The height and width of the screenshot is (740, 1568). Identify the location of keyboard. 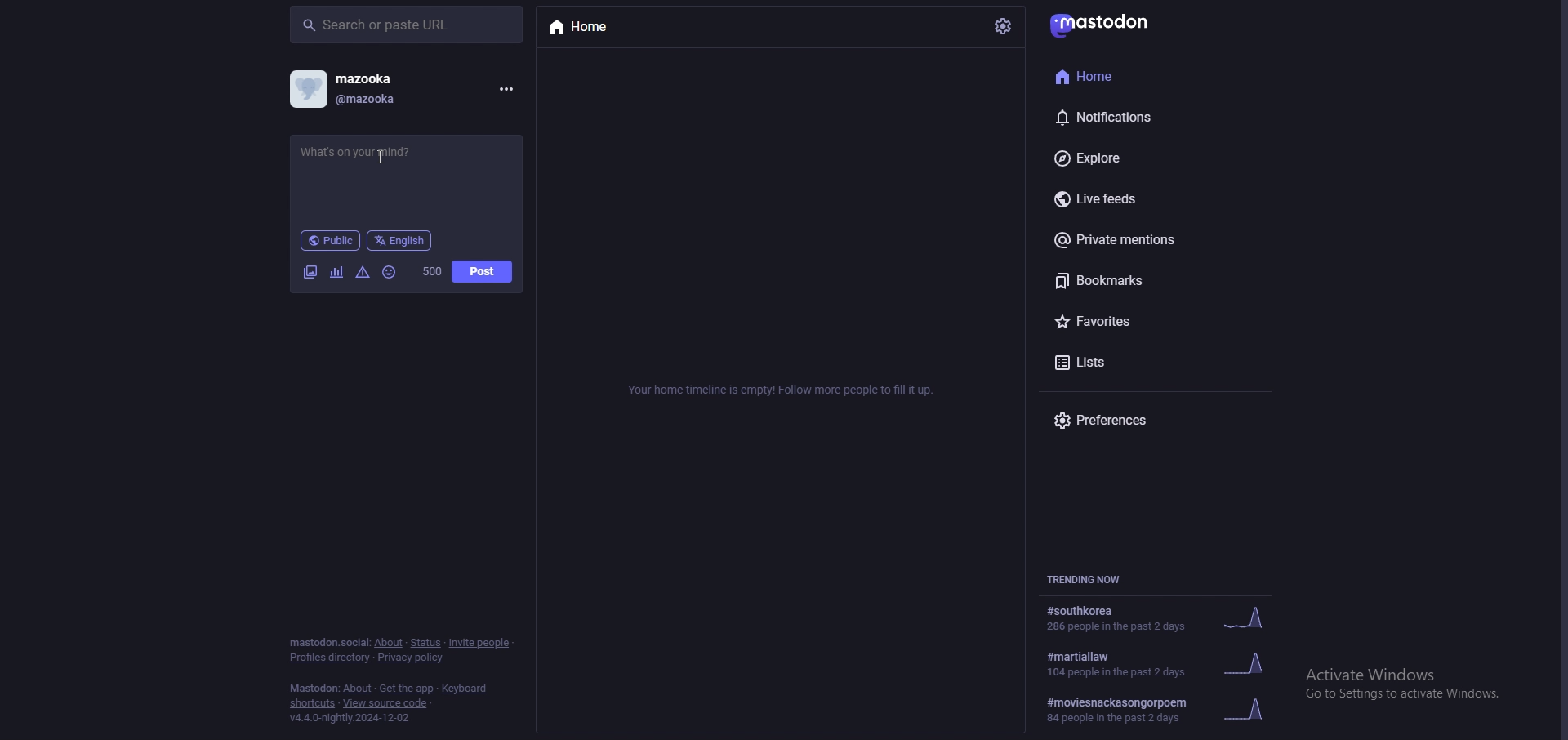
(466, 689).